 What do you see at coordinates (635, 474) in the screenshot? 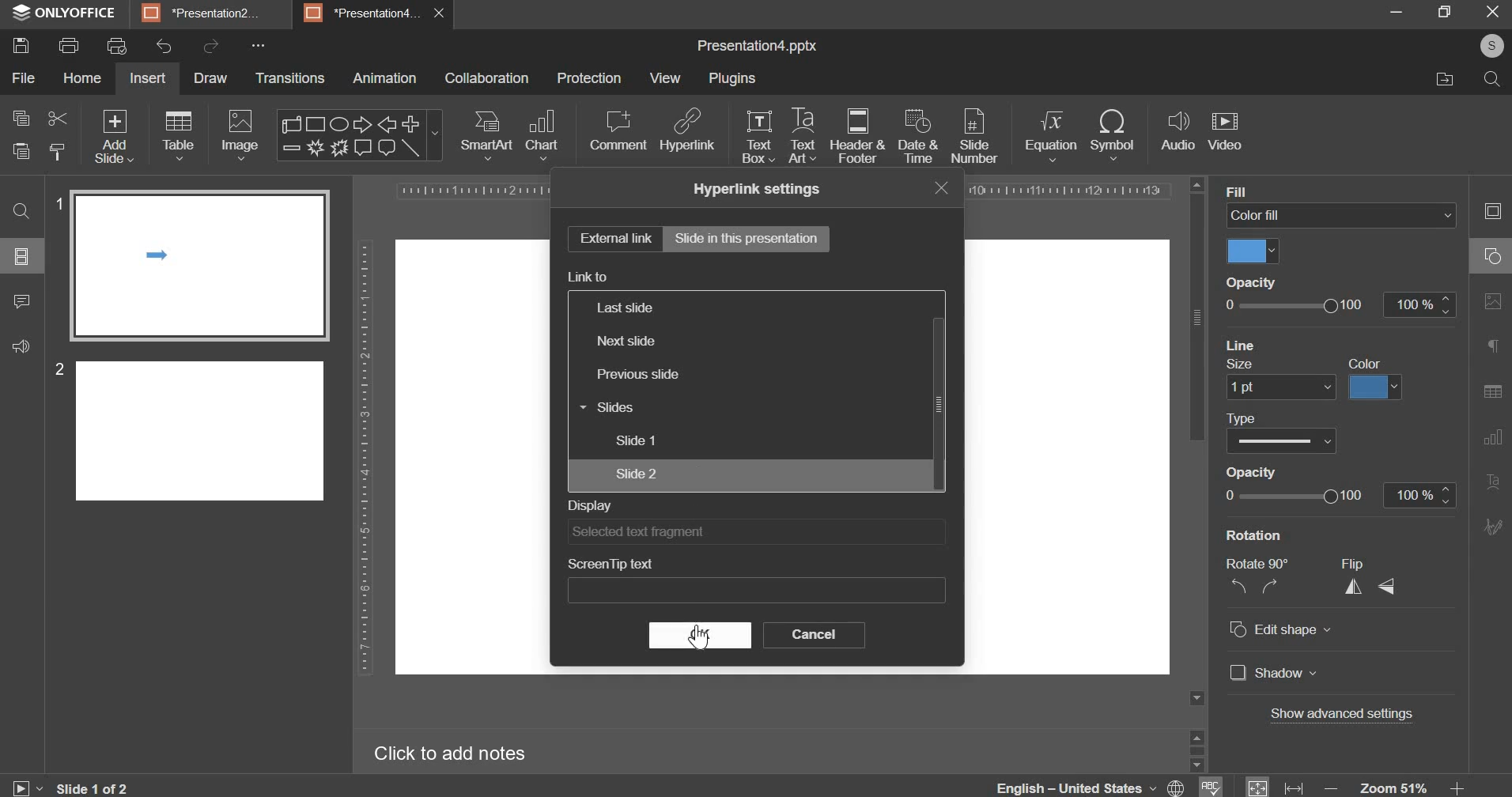
I see `slide 2` at bounding box center [635, 474].